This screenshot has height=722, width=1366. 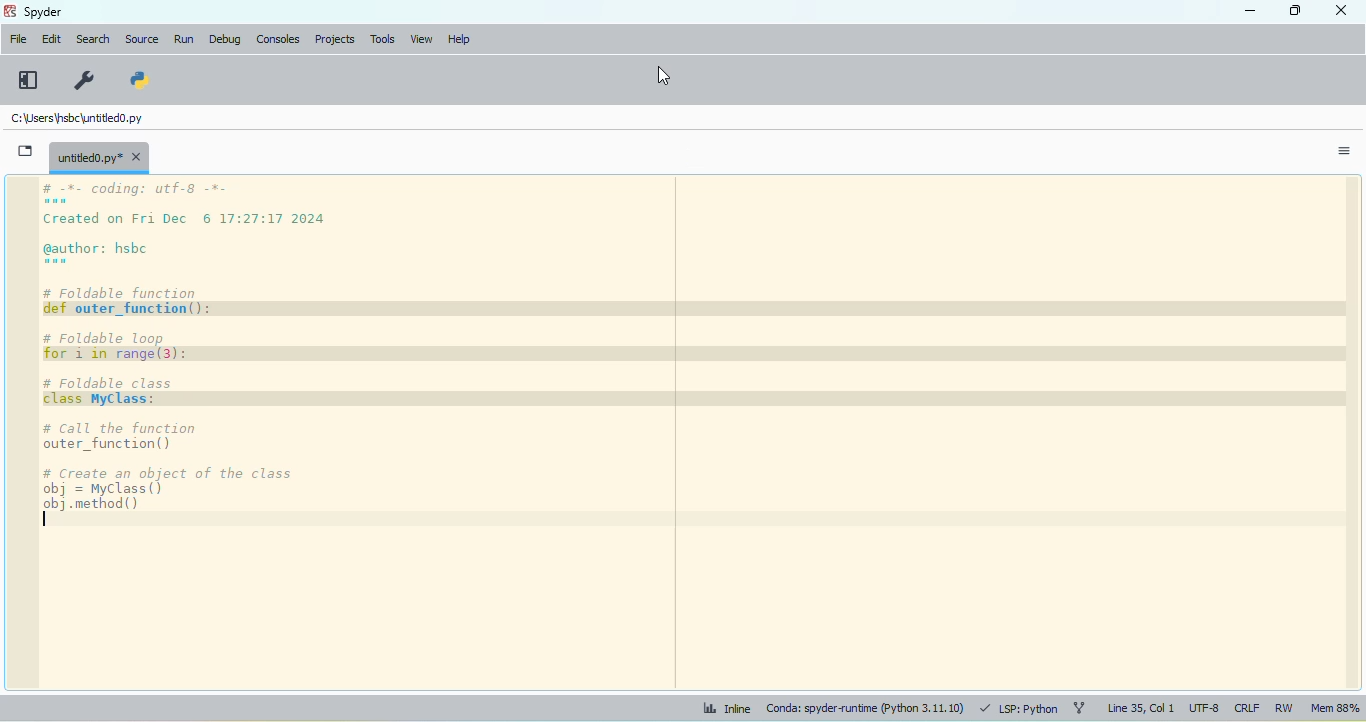 What do you see at coordinates (276, 39) in the screenshot?
I see `consoles` at bounding box center [276, 39].